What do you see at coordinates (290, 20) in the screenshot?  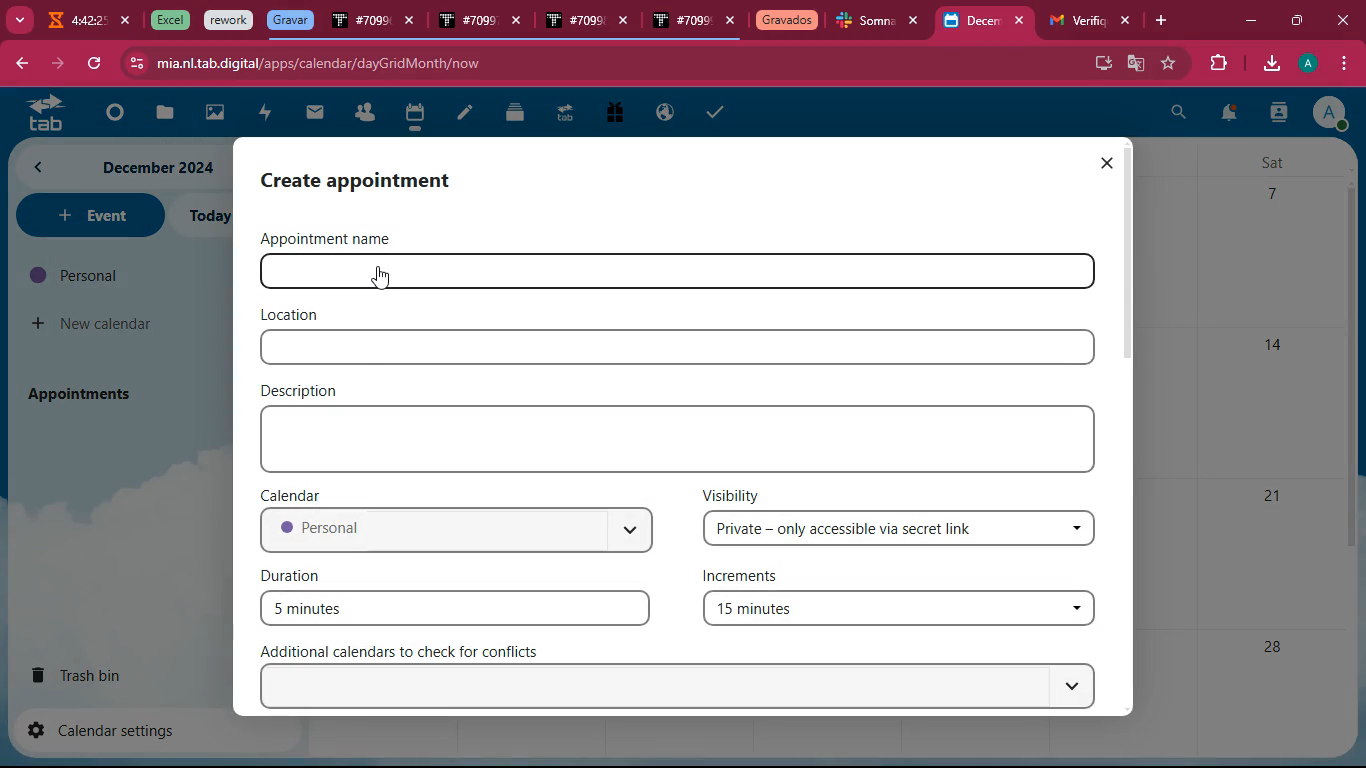 I see `tab` at bounding box center [290, 20].